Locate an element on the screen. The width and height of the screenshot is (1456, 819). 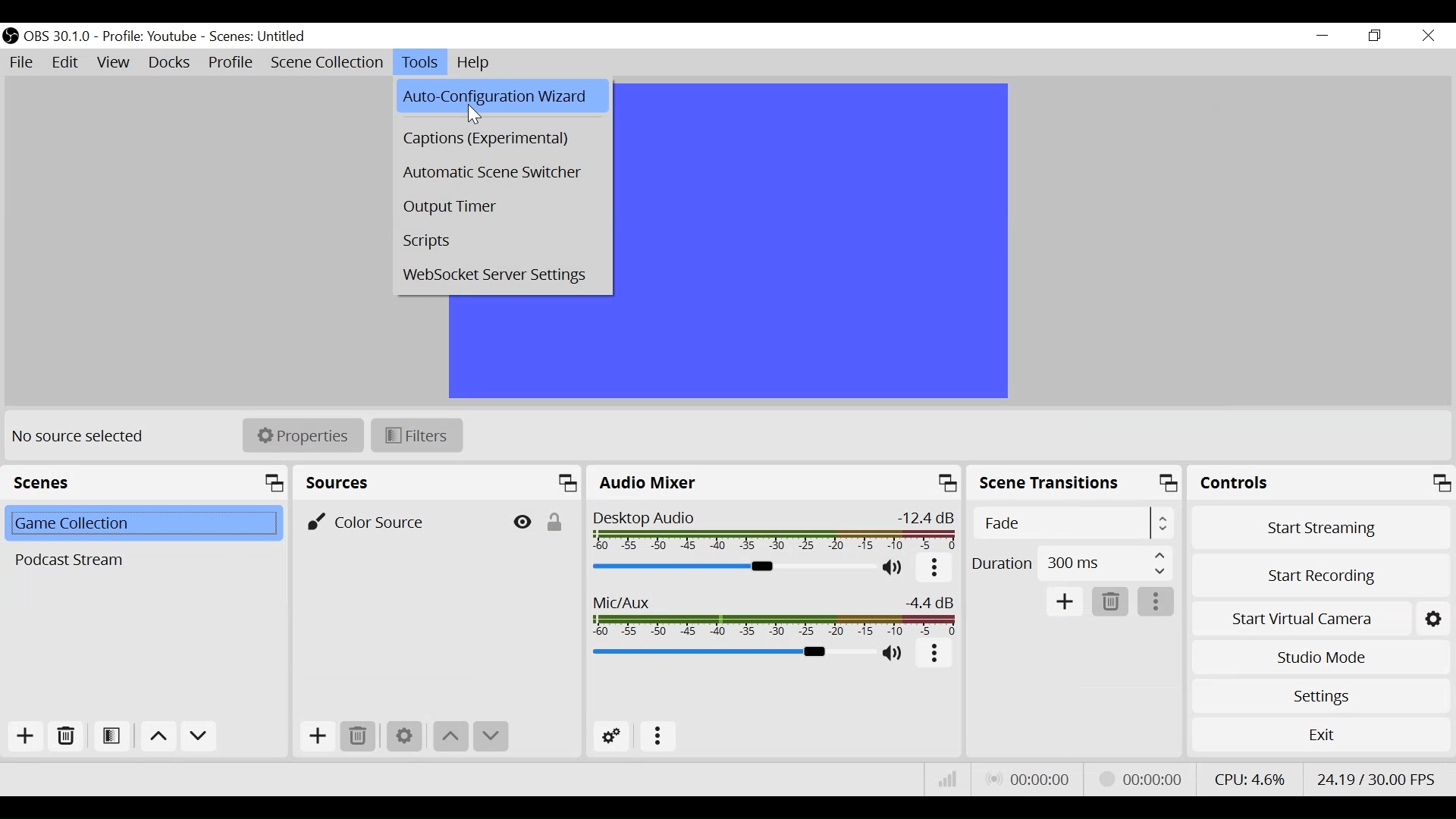
Select Duration is located at coordinates (1072, 563).